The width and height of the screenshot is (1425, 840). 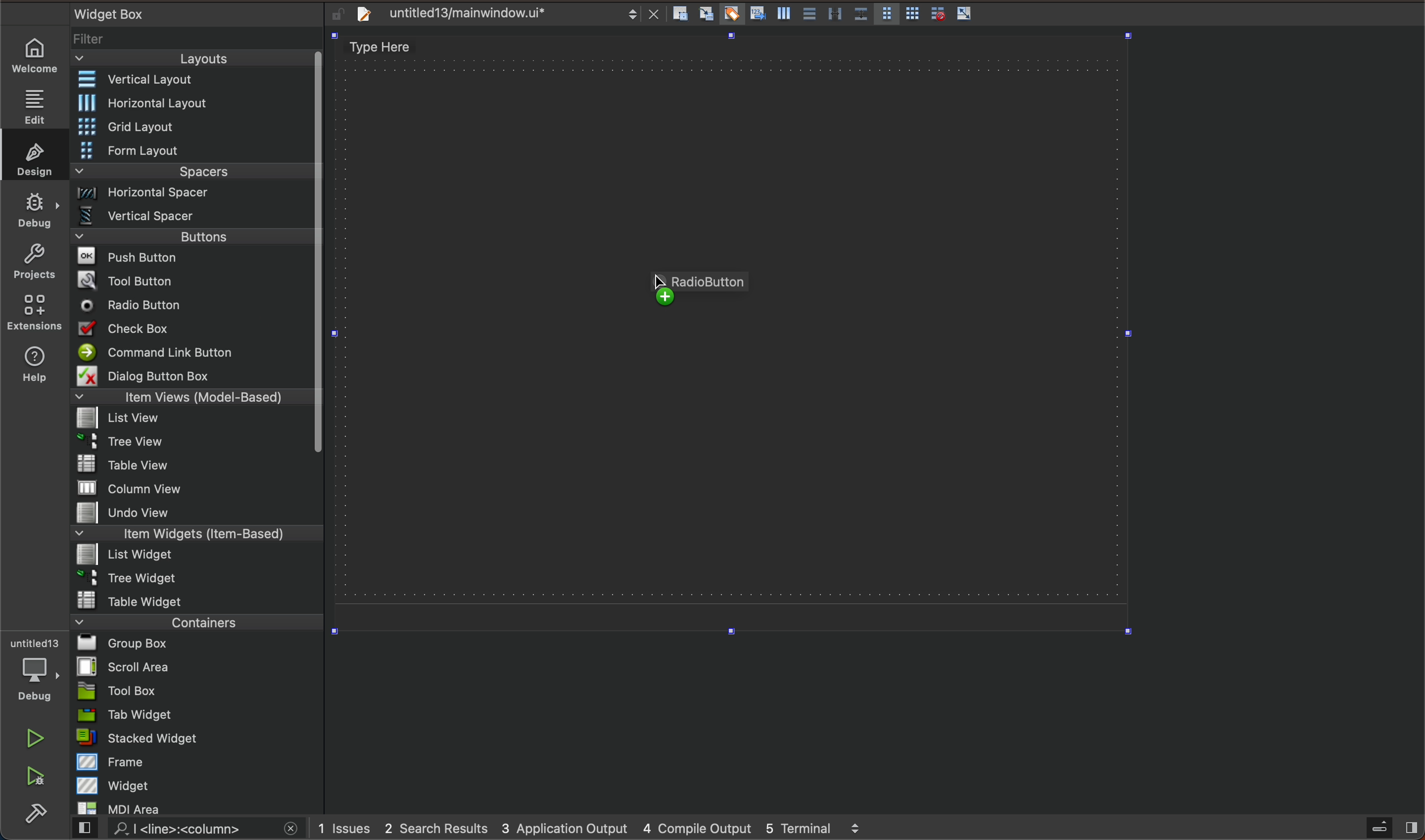 What do you see at coordinates (192, 353) in the screenshot?
I see `command line` at bounding box center [192, 353].